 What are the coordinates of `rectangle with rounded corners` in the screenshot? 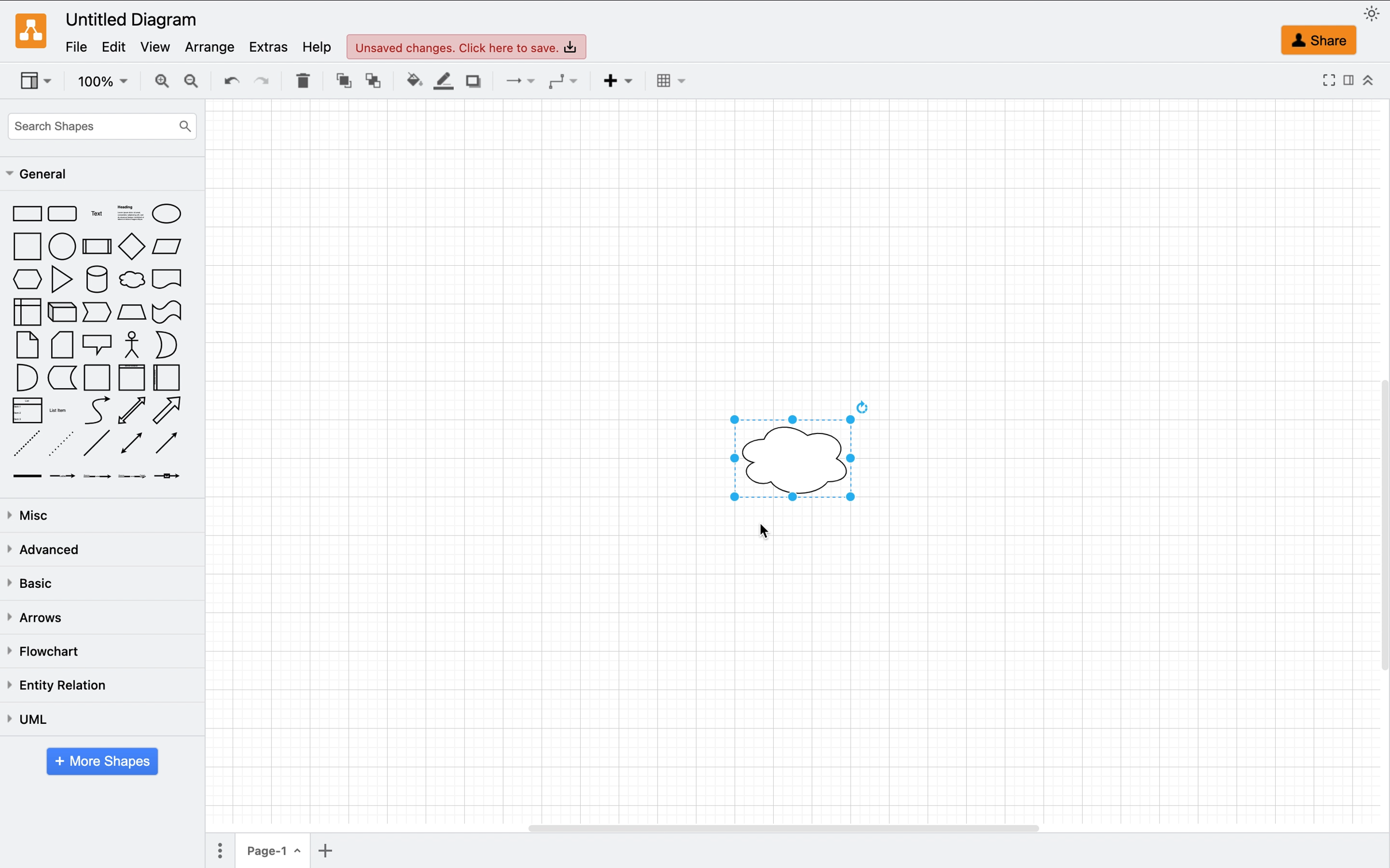 It's located at (63, 214).